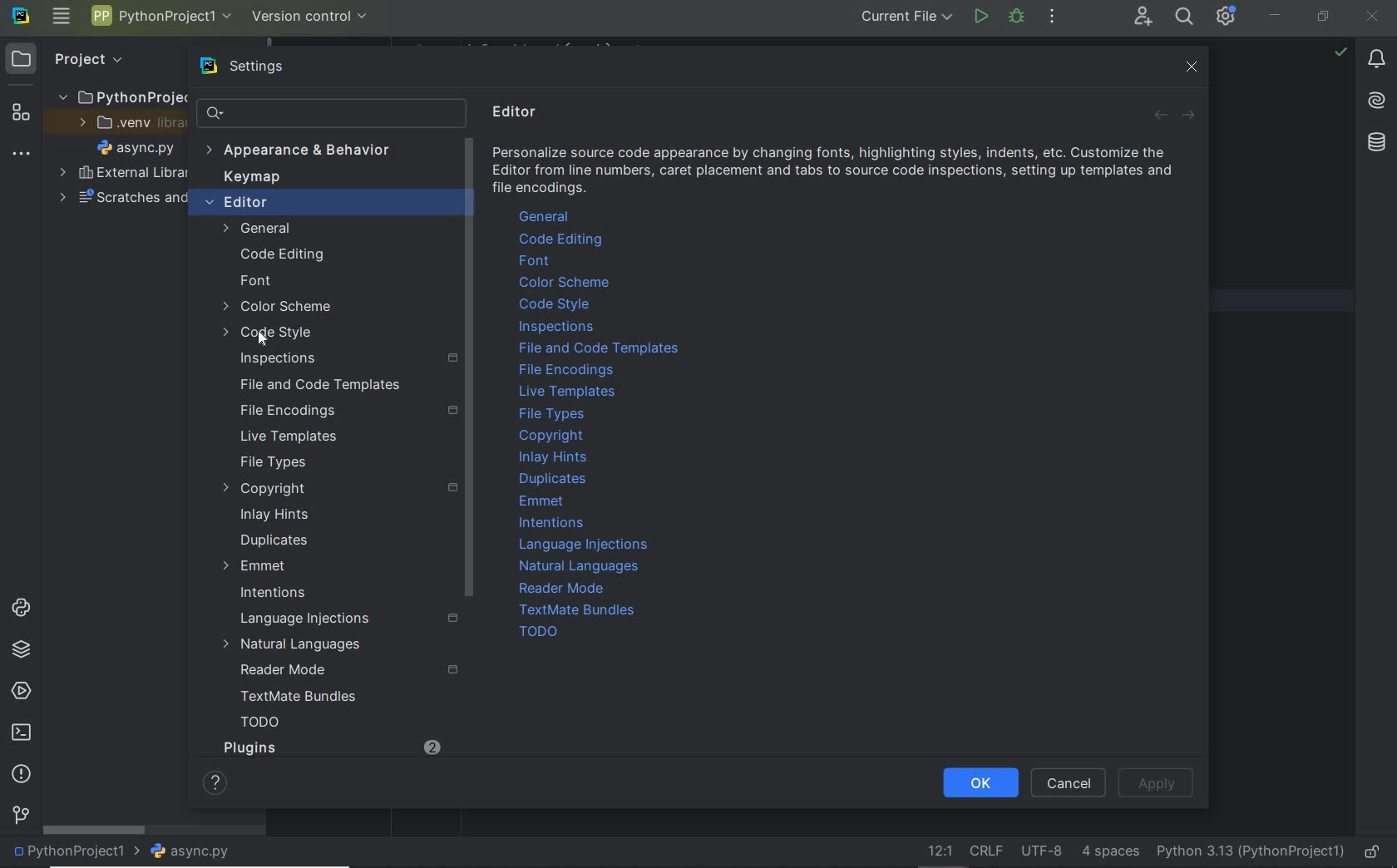 This screenshot has height=868, width=1397. I want to click on project name, so click(162, 16).